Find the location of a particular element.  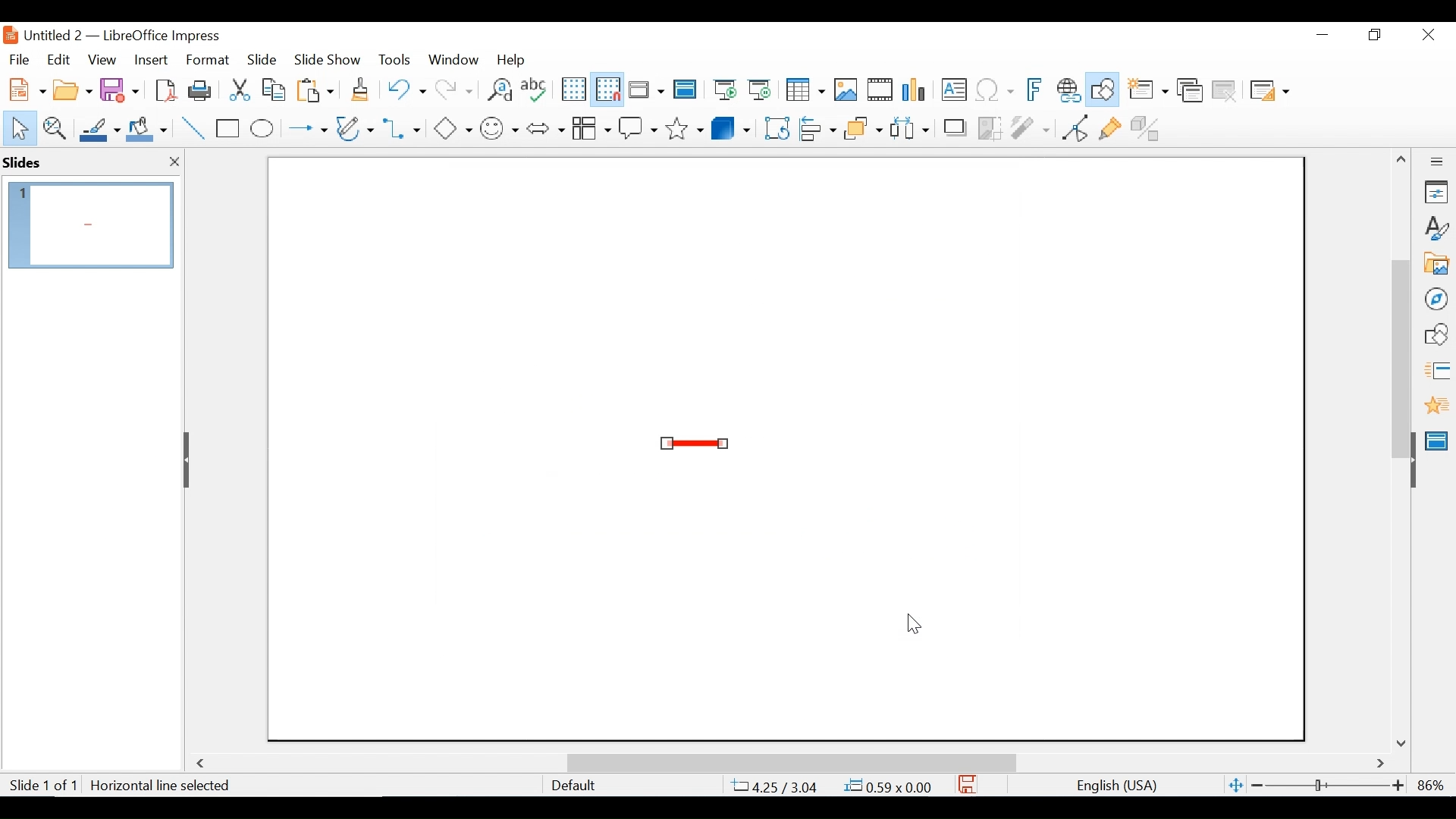

Snap as Grid is located at coordinates (607, 89).